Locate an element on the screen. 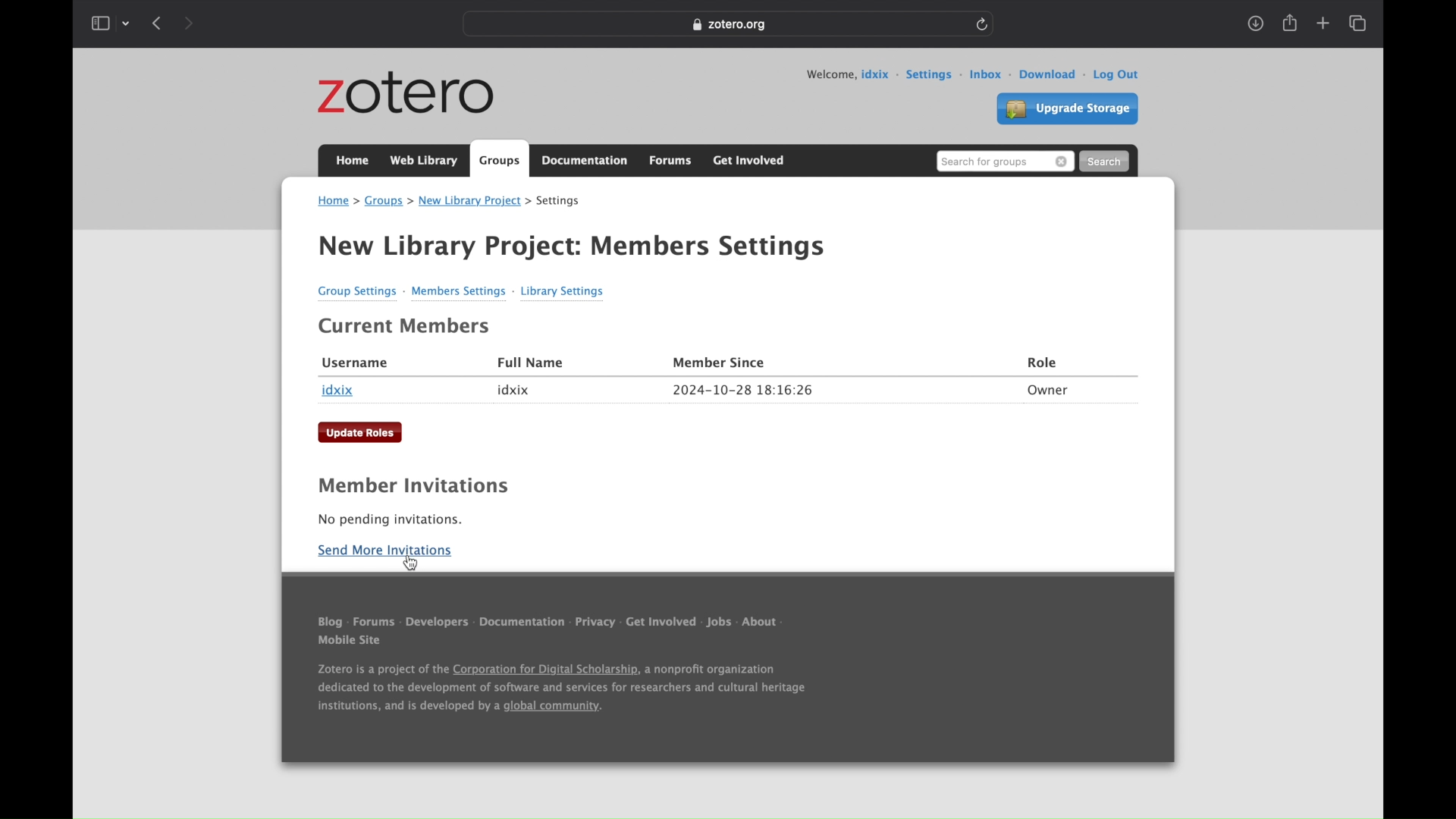 This screenshot has height=819, width=1456. search for groups is located at coordinates (1006, 162).